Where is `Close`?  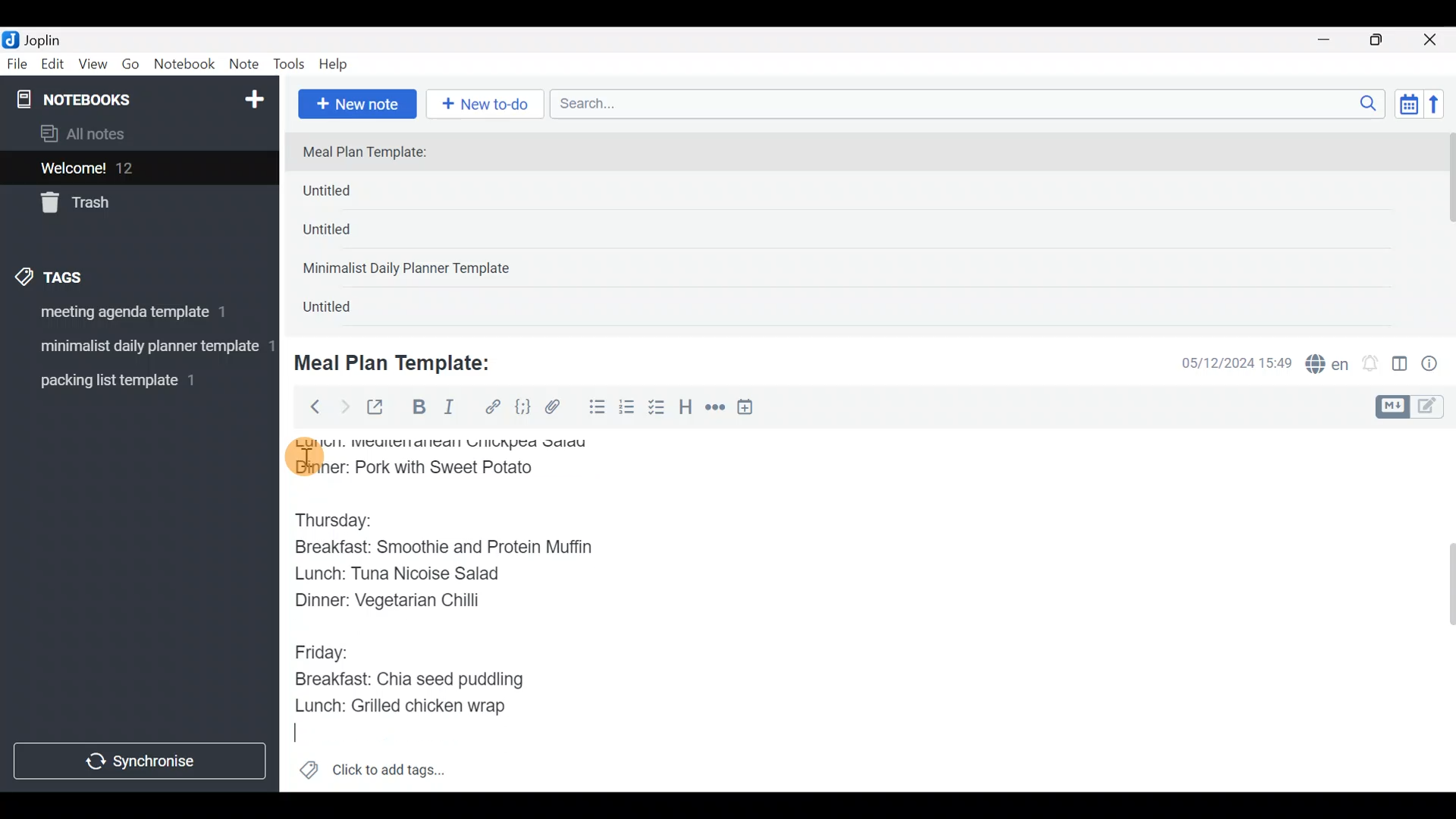
Close is located at coordinates (1432, 41).